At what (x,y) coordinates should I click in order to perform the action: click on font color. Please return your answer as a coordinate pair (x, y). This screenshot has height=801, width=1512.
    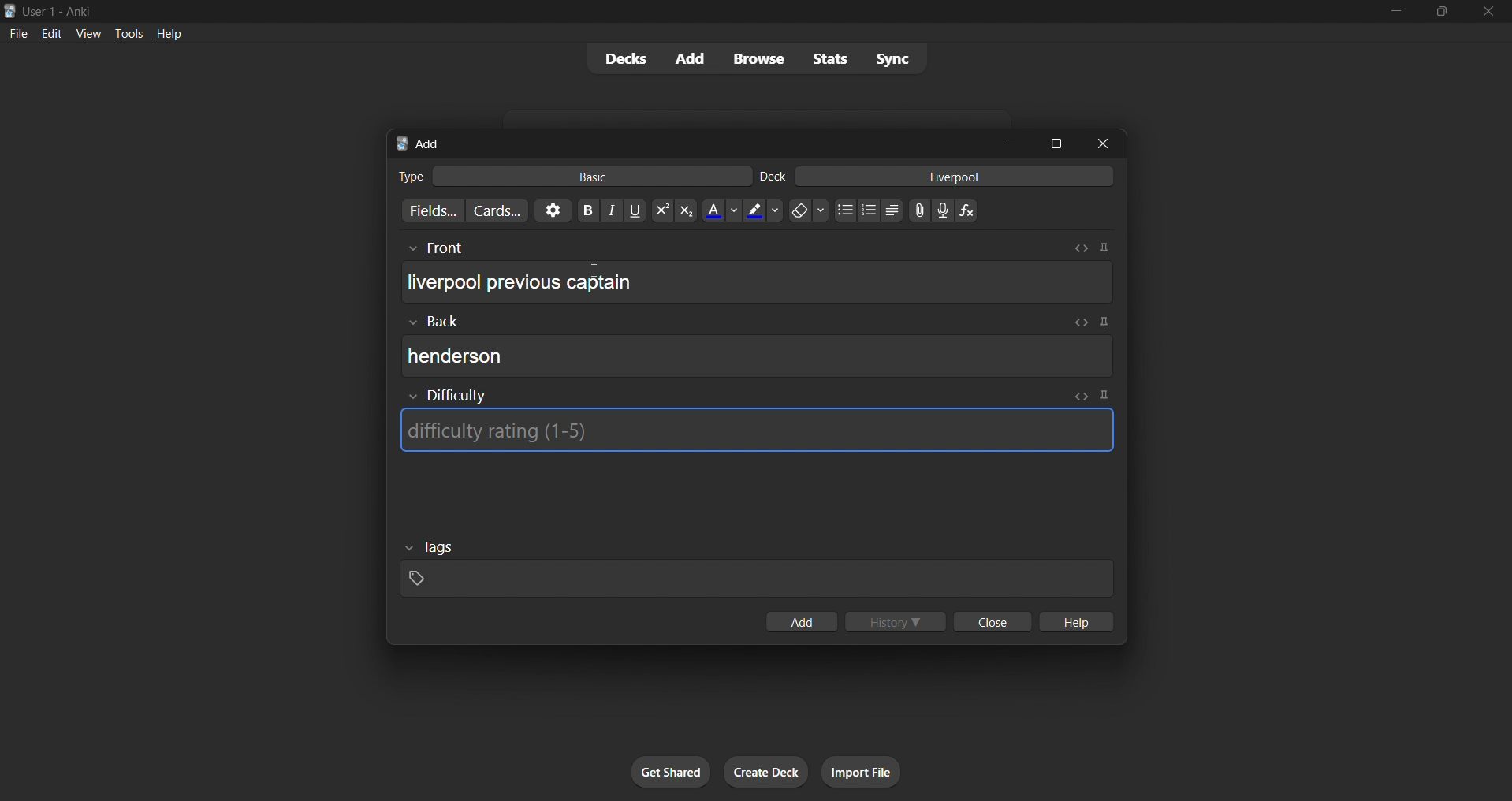
    Looking at the image, I should click on (717, 209).